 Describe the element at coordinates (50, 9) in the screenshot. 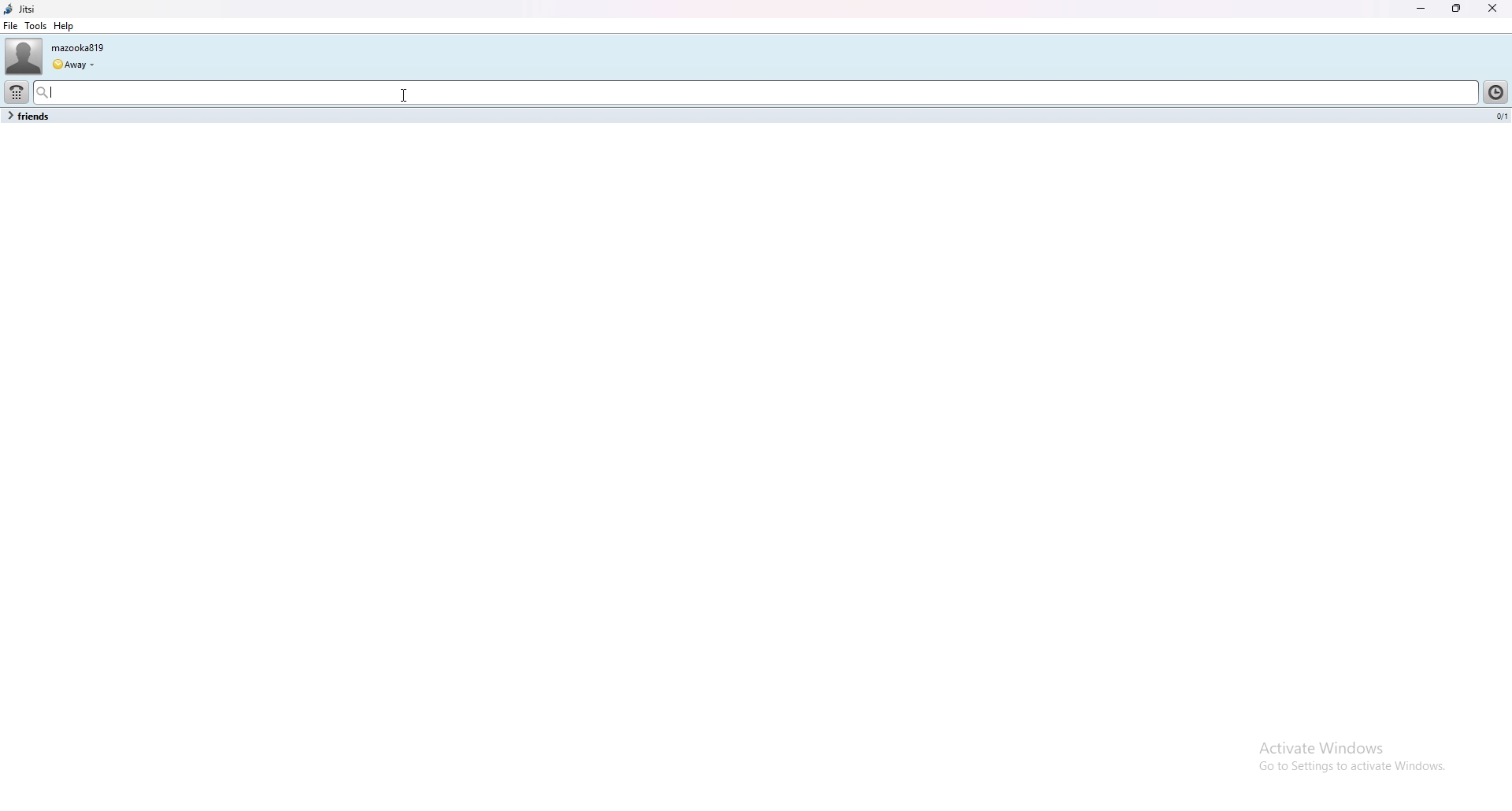

I see `jitsi` at that location.